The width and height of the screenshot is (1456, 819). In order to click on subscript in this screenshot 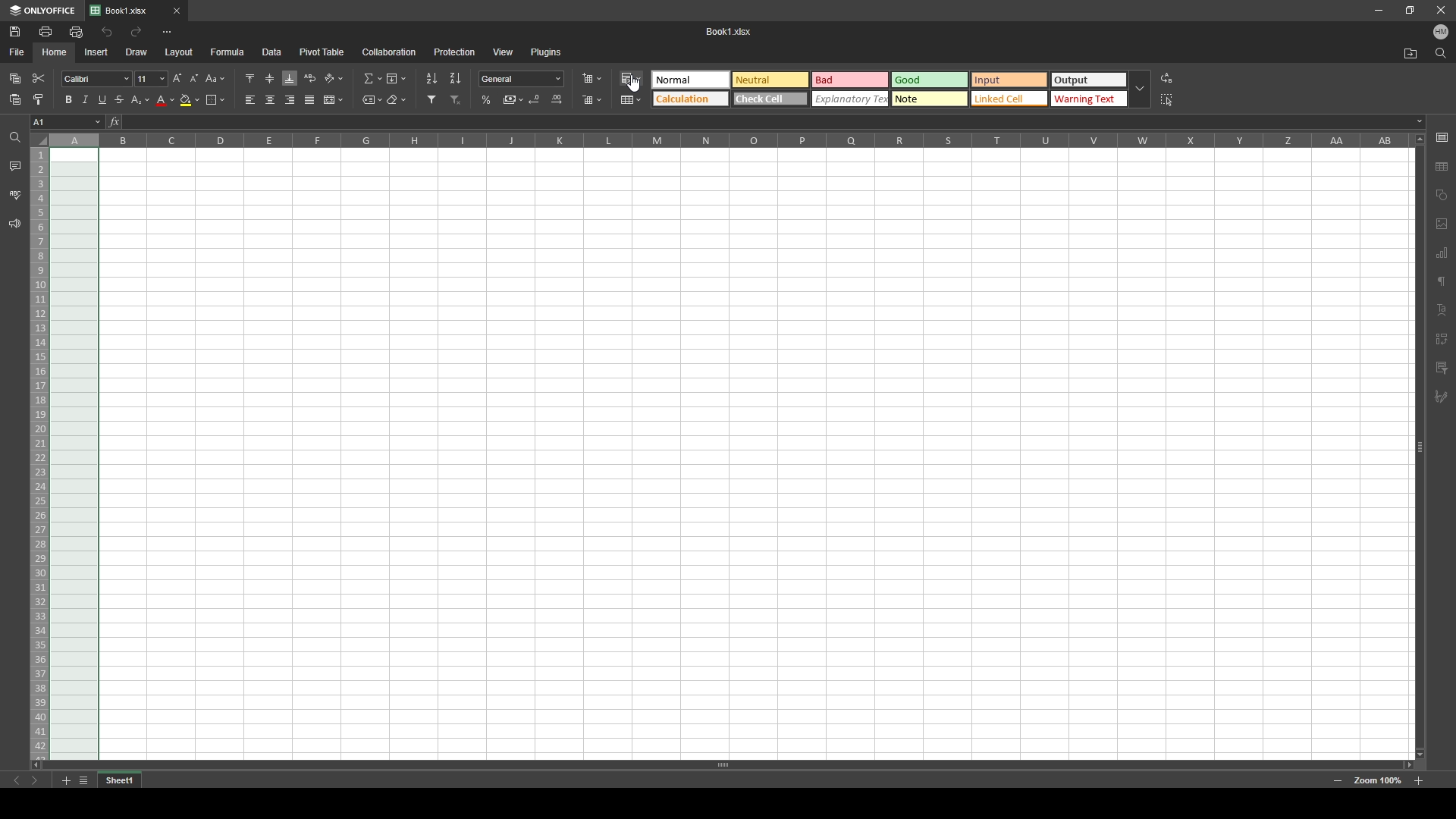, I will do `click(141, 99)`.